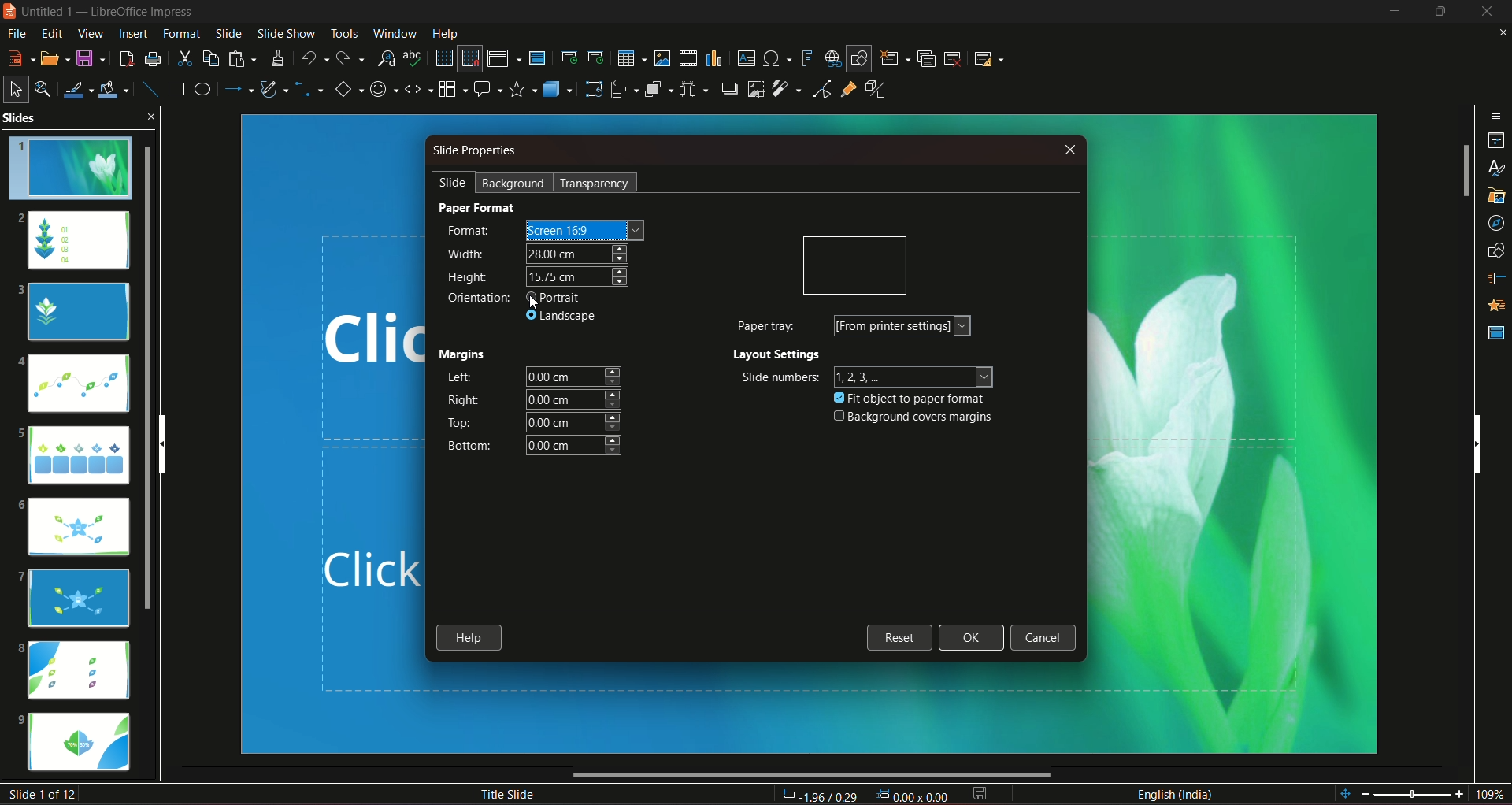  I want to click on top, so click(461, 423).